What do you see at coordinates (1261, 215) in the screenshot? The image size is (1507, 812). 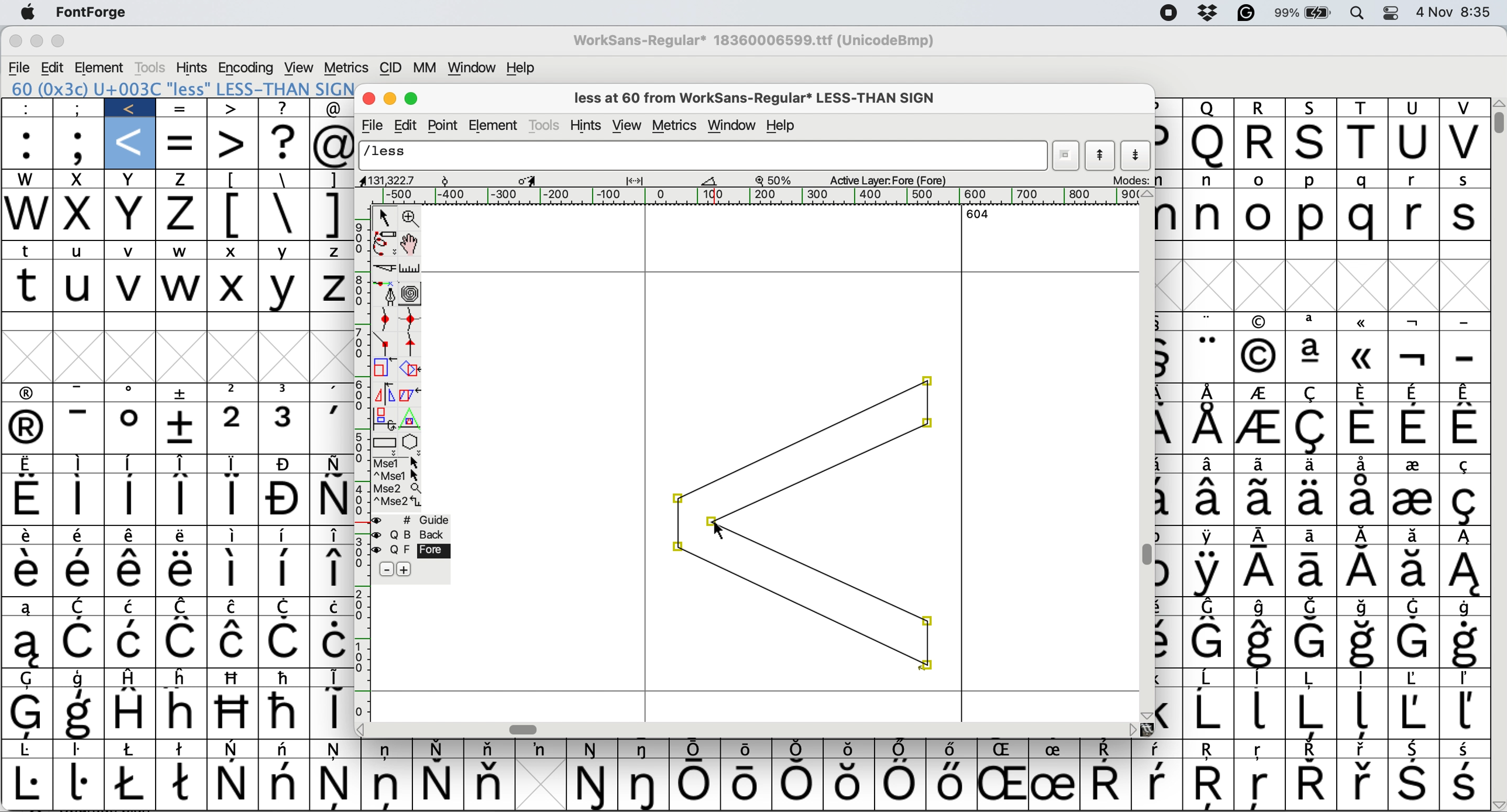 I see `o` at bounding box center [1261, 215].